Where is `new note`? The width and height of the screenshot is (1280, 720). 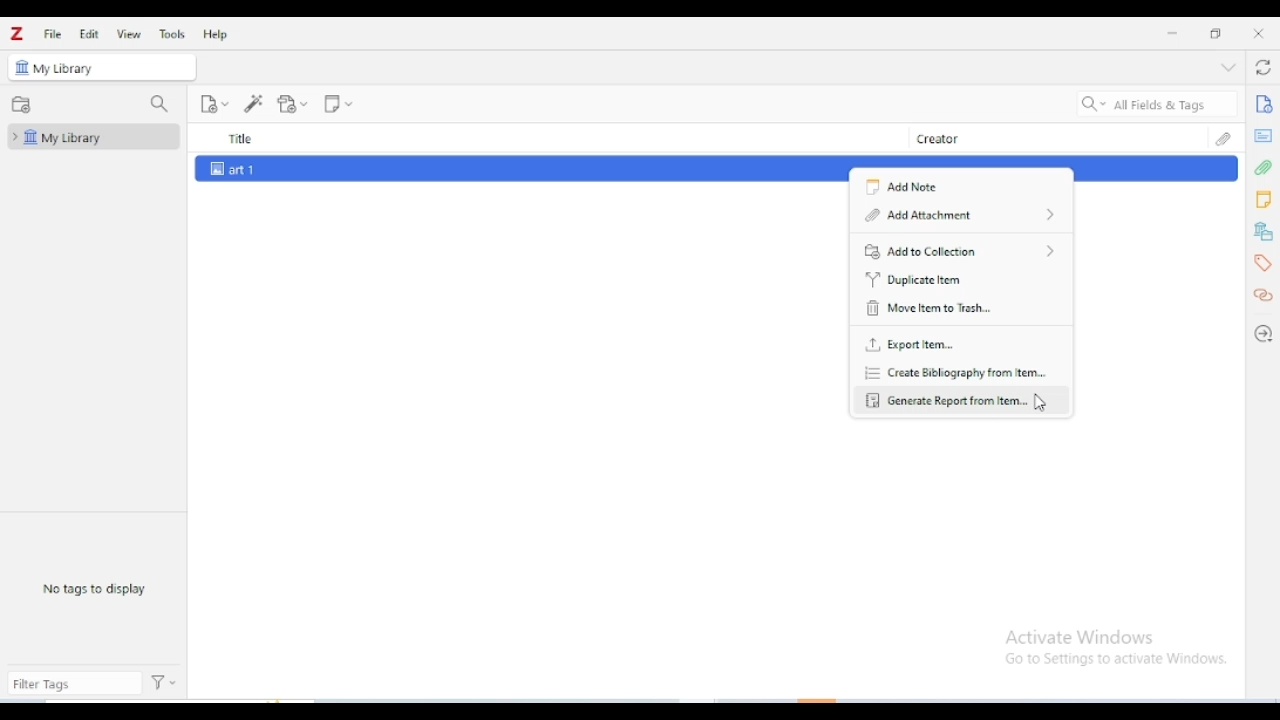 new note is located at coordinates (338, 104).